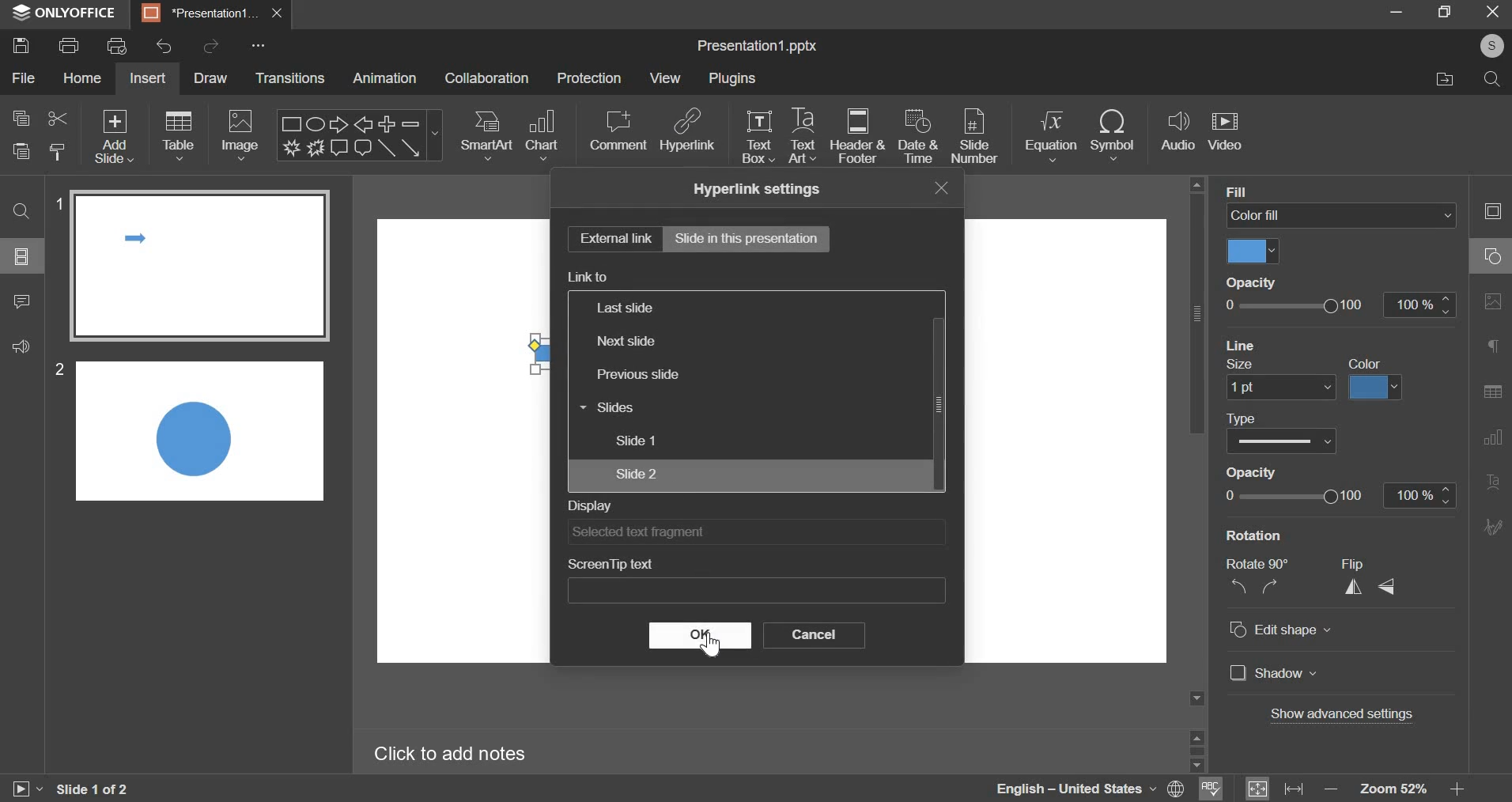 This screenshot has height=802, width=1512. What do you see at coordinates (115, 136) in the screenshot?
I see `add slide` at bounding box center [115, 136].